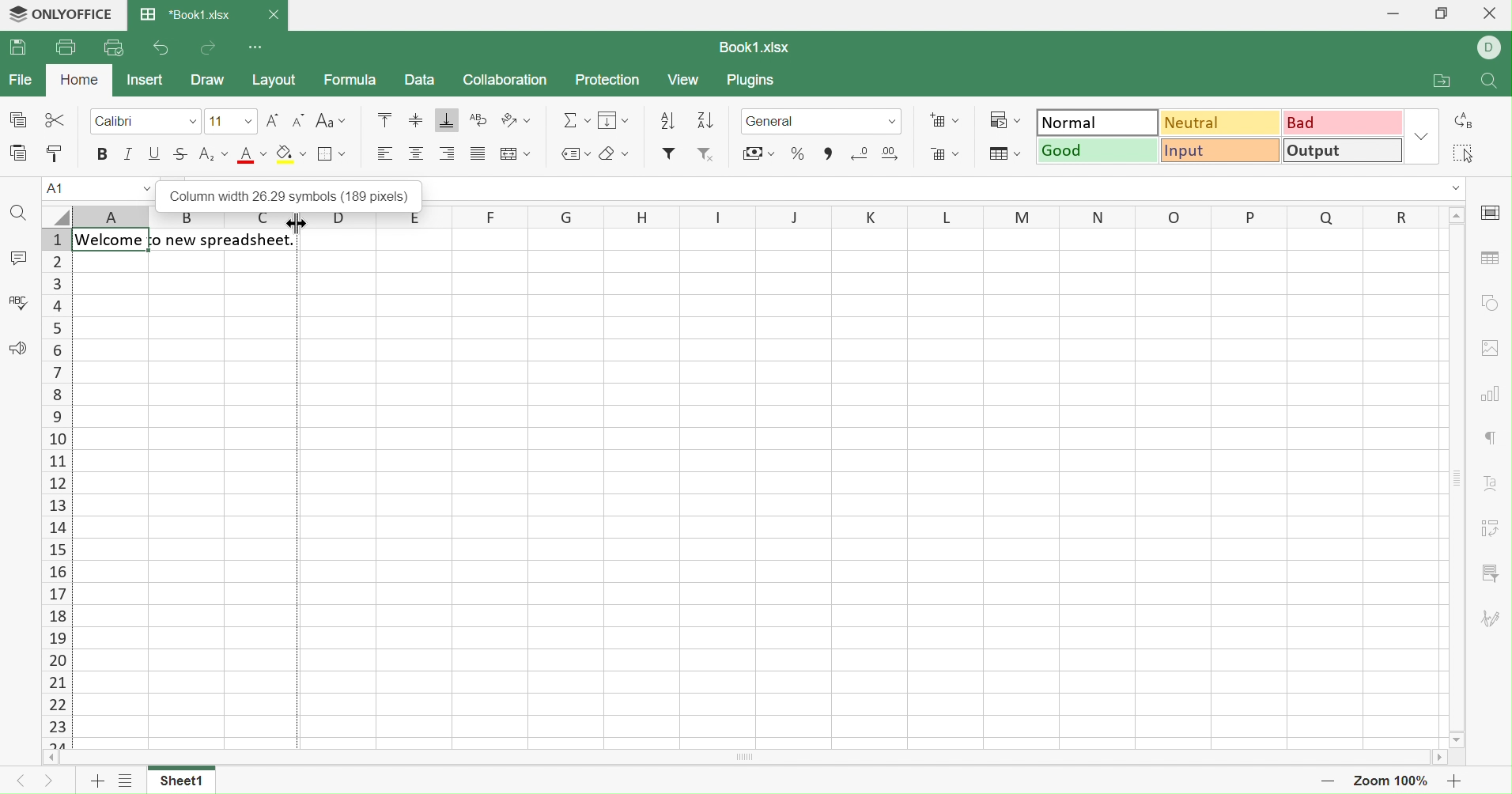 Image resolution: width=1512 pixels, height=794 pixels. I want to click on Calibri, so click(117, 120).